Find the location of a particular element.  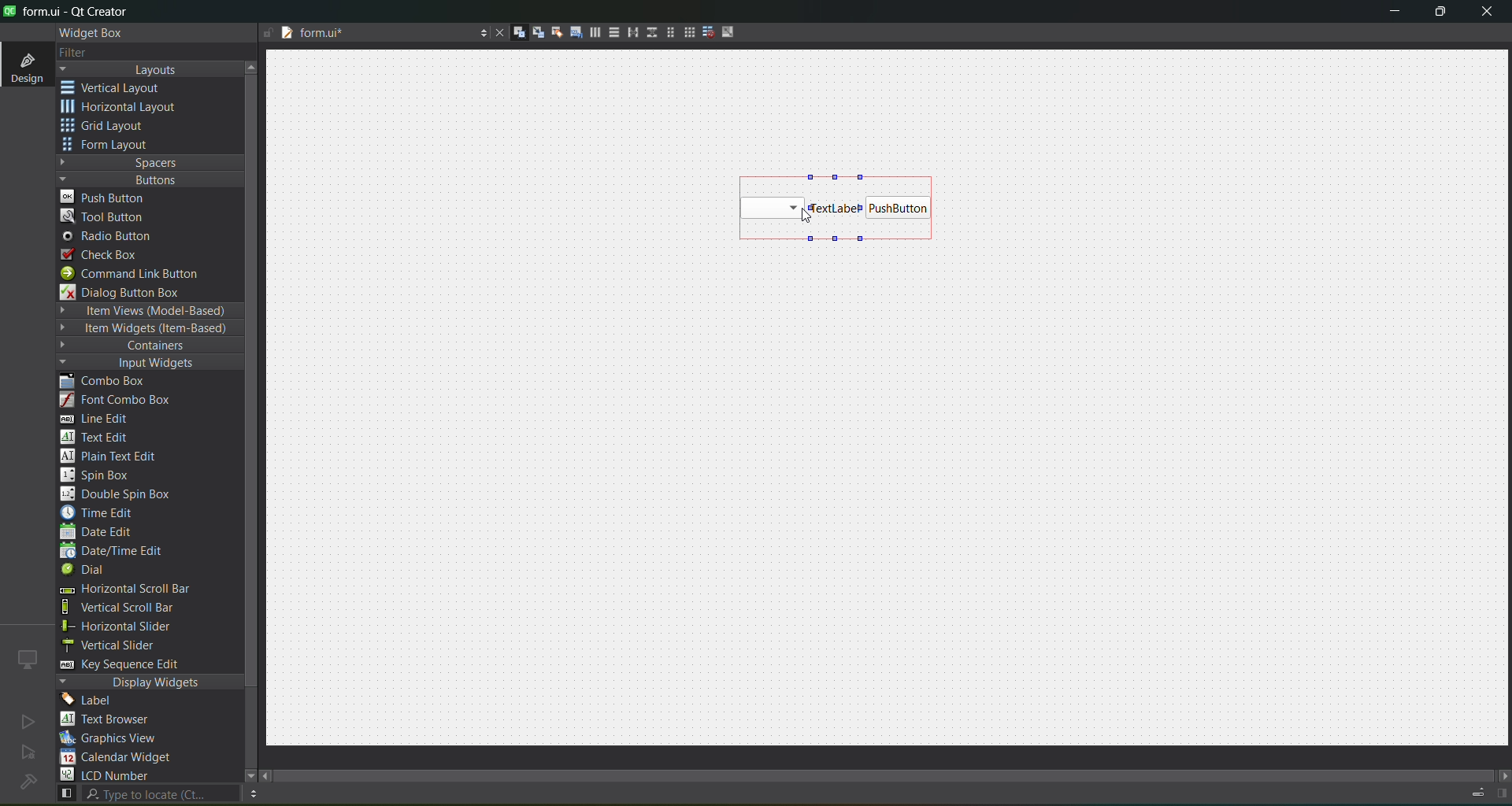

horizontal scroll bar is located at coordinates (124, 590).